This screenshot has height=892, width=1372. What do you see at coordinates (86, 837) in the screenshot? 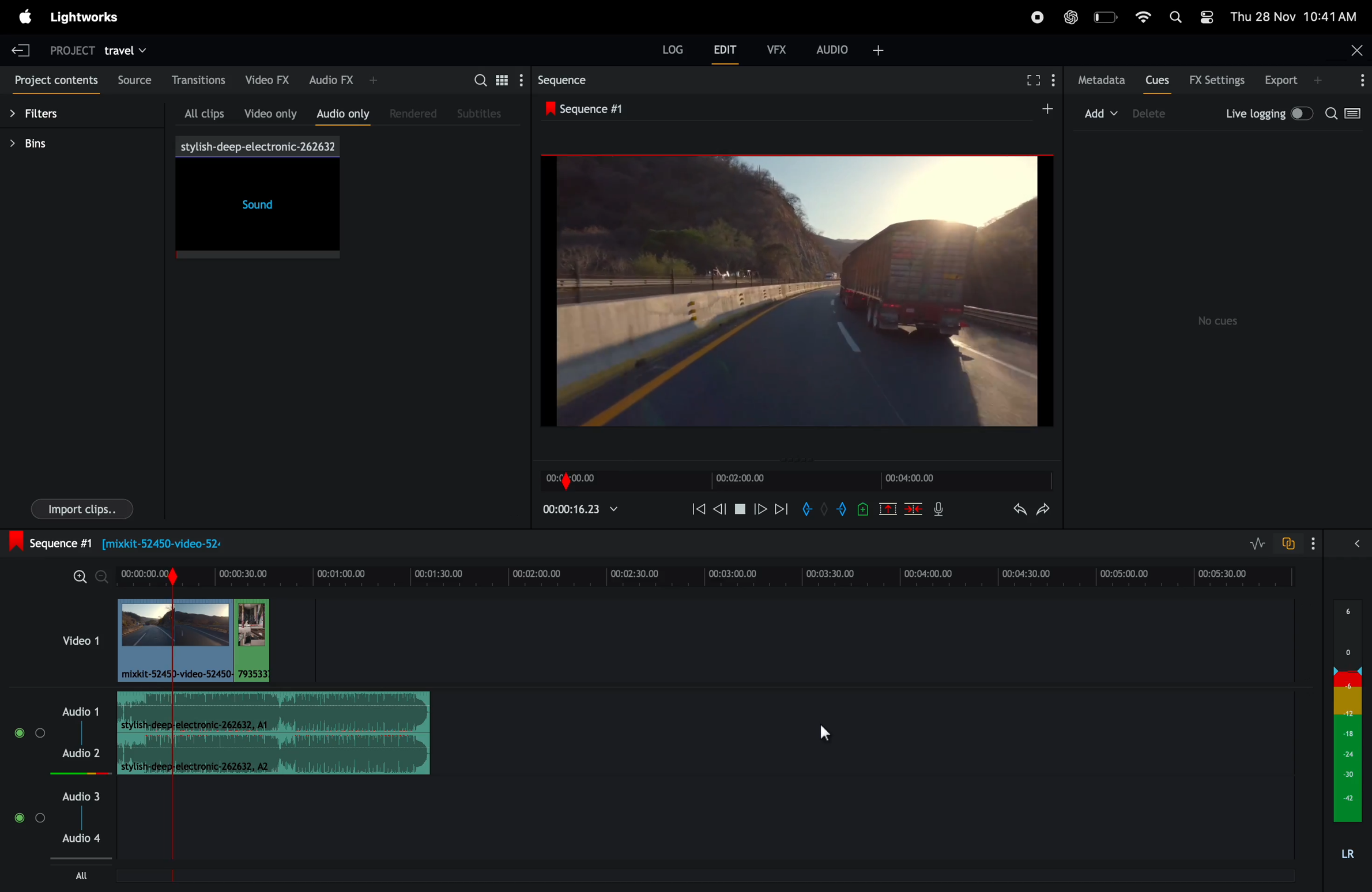
I see `Audio 4` at bounding box center [86, 837].